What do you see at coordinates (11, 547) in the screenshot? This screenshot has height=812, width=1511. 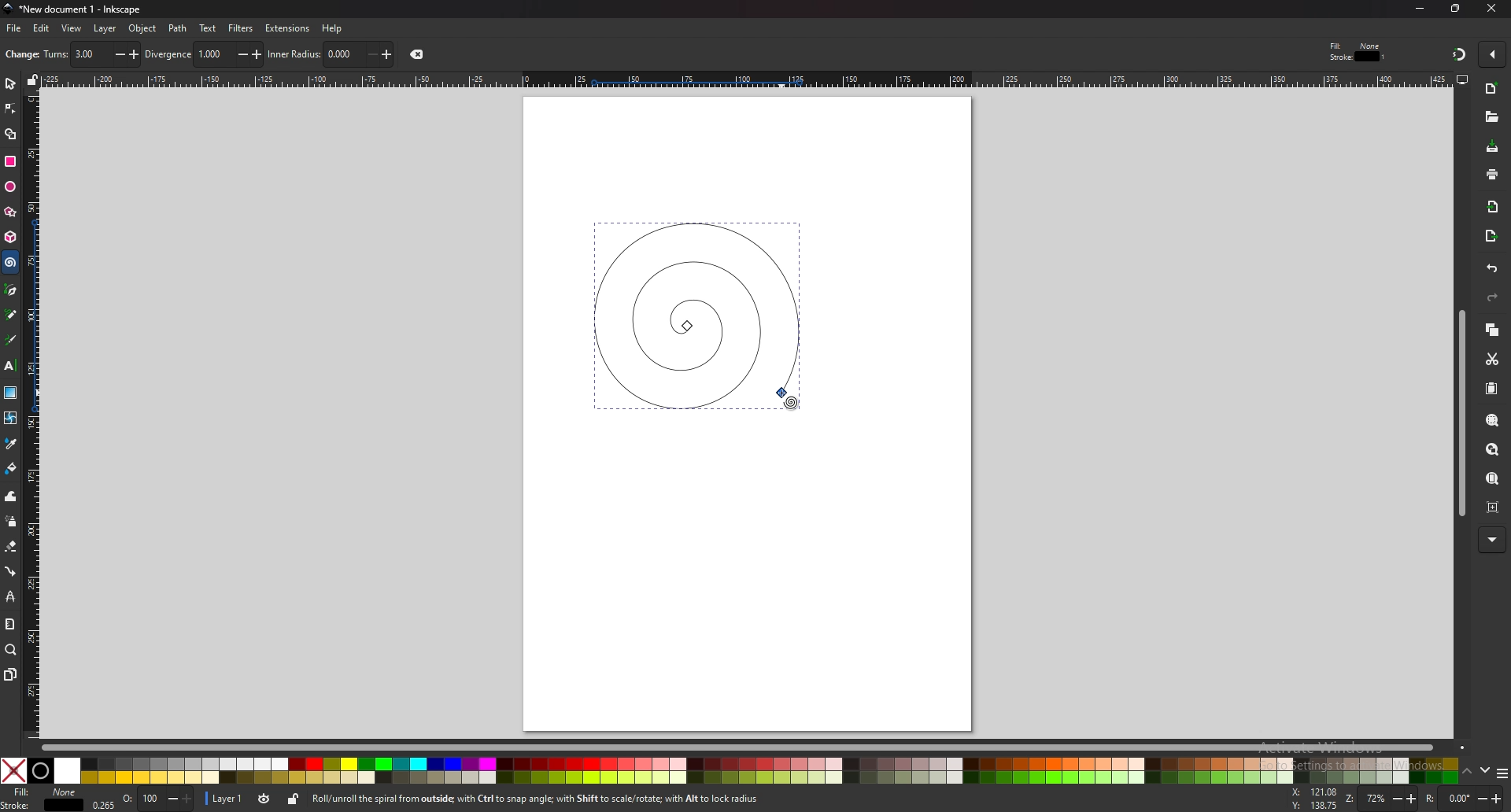 I see `eraser` at bounding box center [11, 547].